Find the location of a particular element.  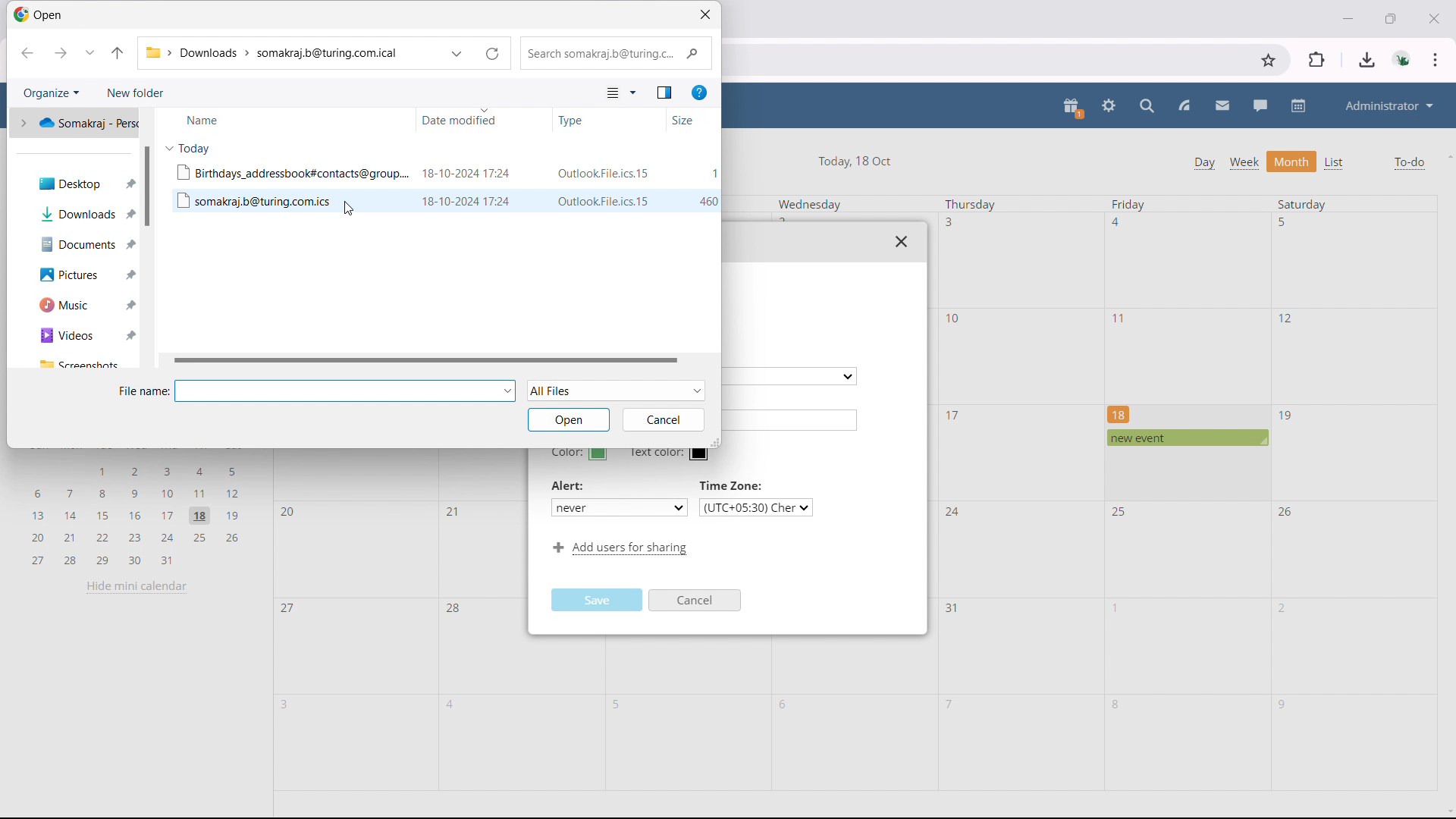

18-10-2024 17:24 is located at coordinates (467, 200).